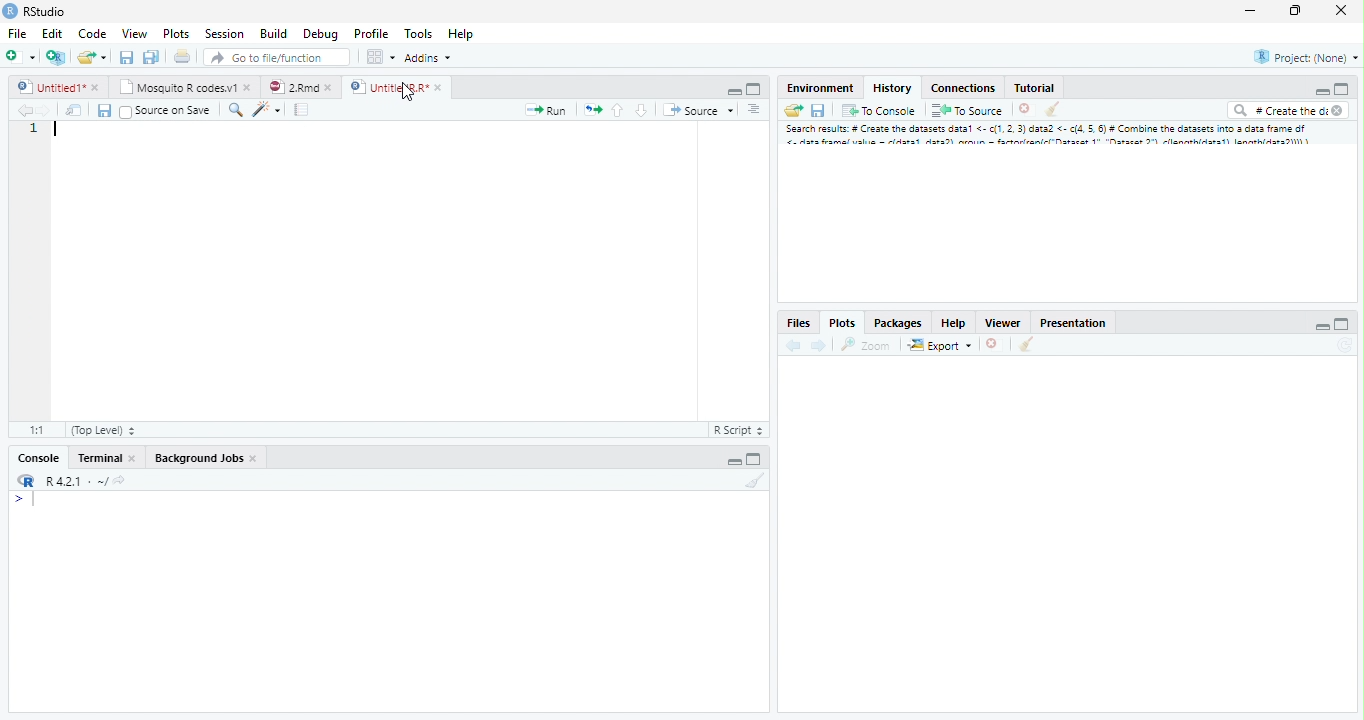 The image size is (1364, 720). I want to click on Tutorial, so click(1035, 88).